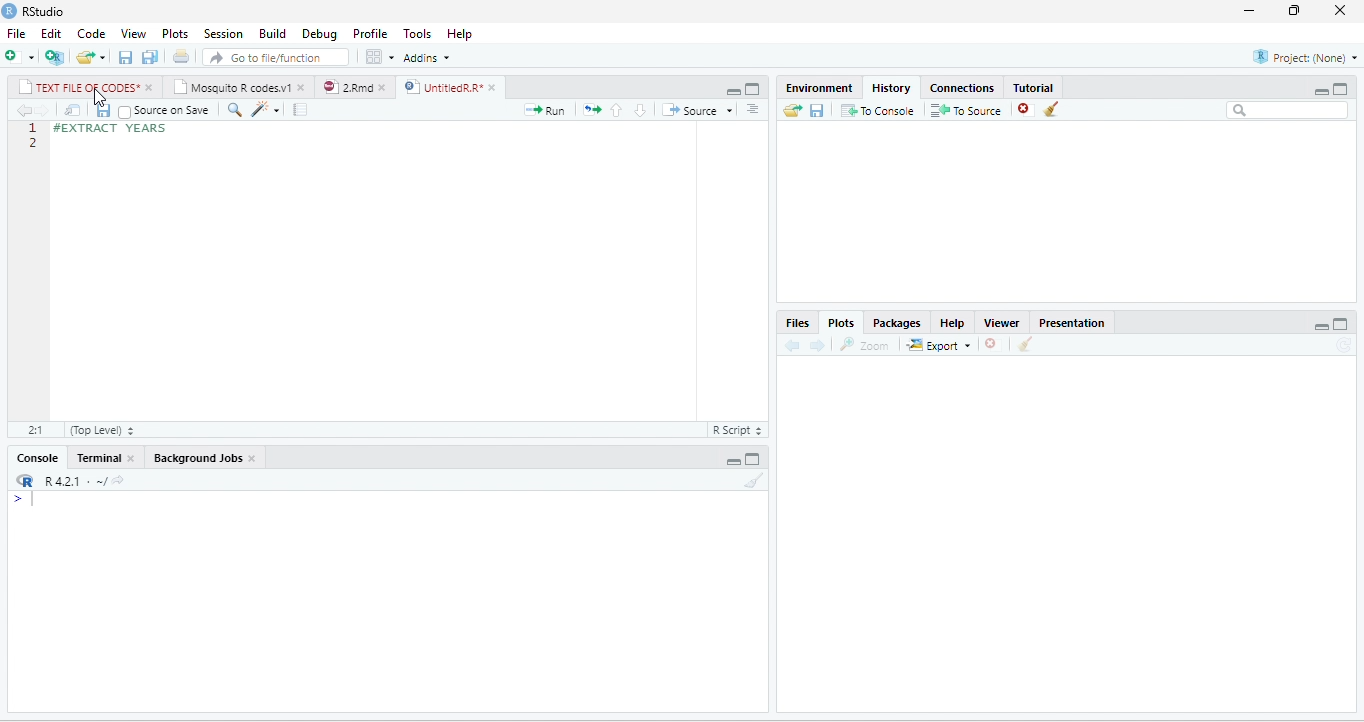 The height and width of the screenshot is (722, 1364). I want to click on Zoom, so click(864, 344).